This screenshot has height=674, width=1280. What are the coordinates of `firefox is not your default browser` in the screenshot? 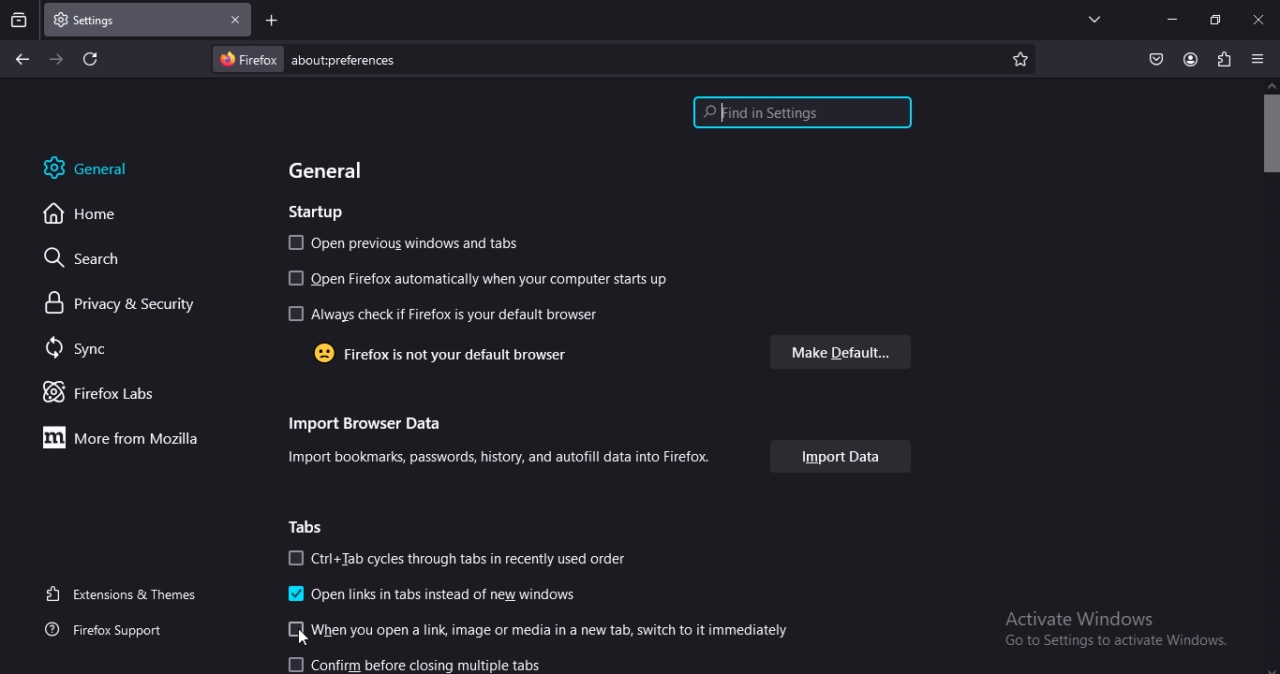 It's located at (448, 356).